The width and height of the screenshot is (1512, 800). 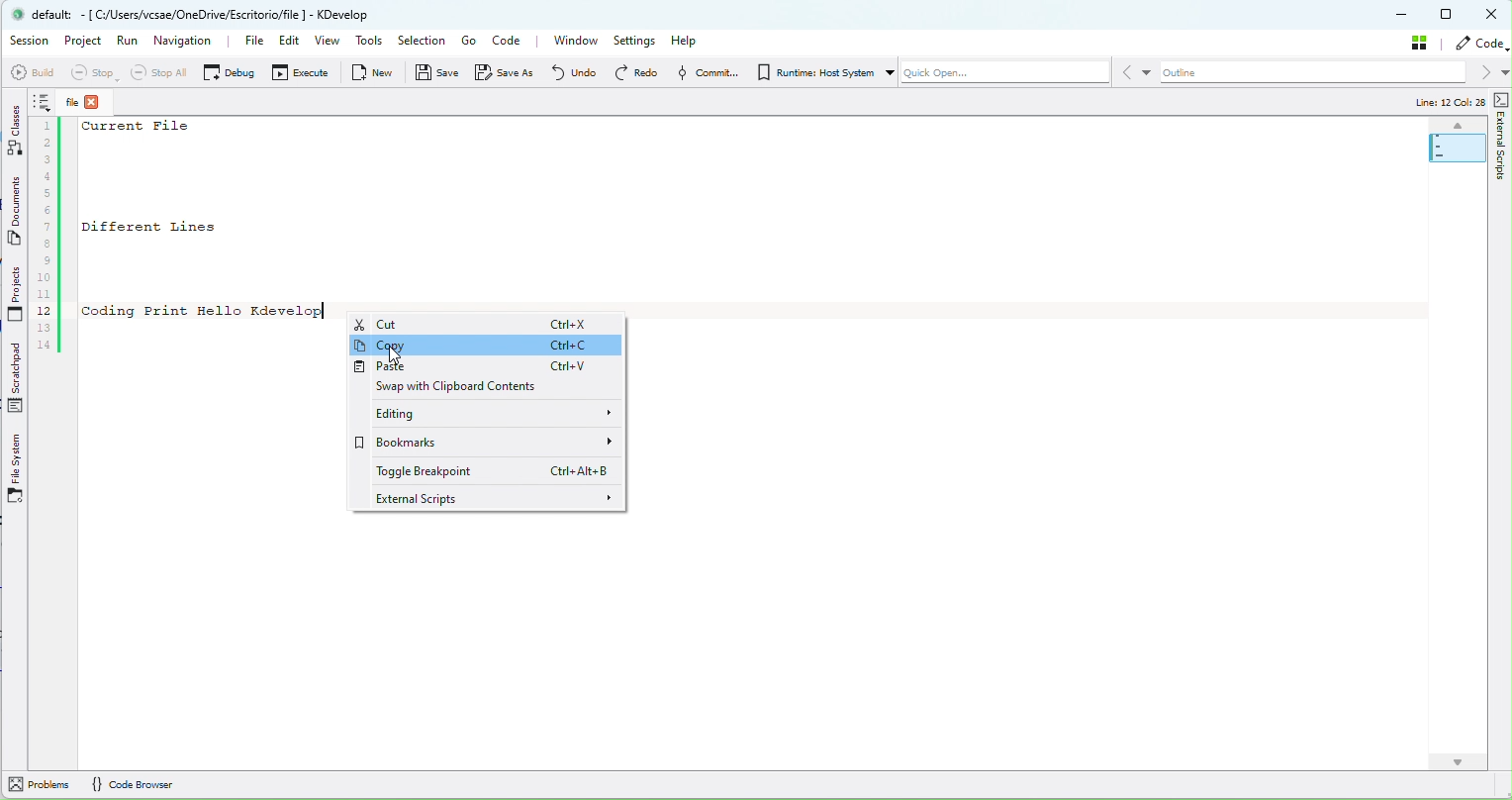 What do you see at coordinates (487, 348) in the screenshot?
I see `Copy Ctrl+C` at bounding box center [487, 348].